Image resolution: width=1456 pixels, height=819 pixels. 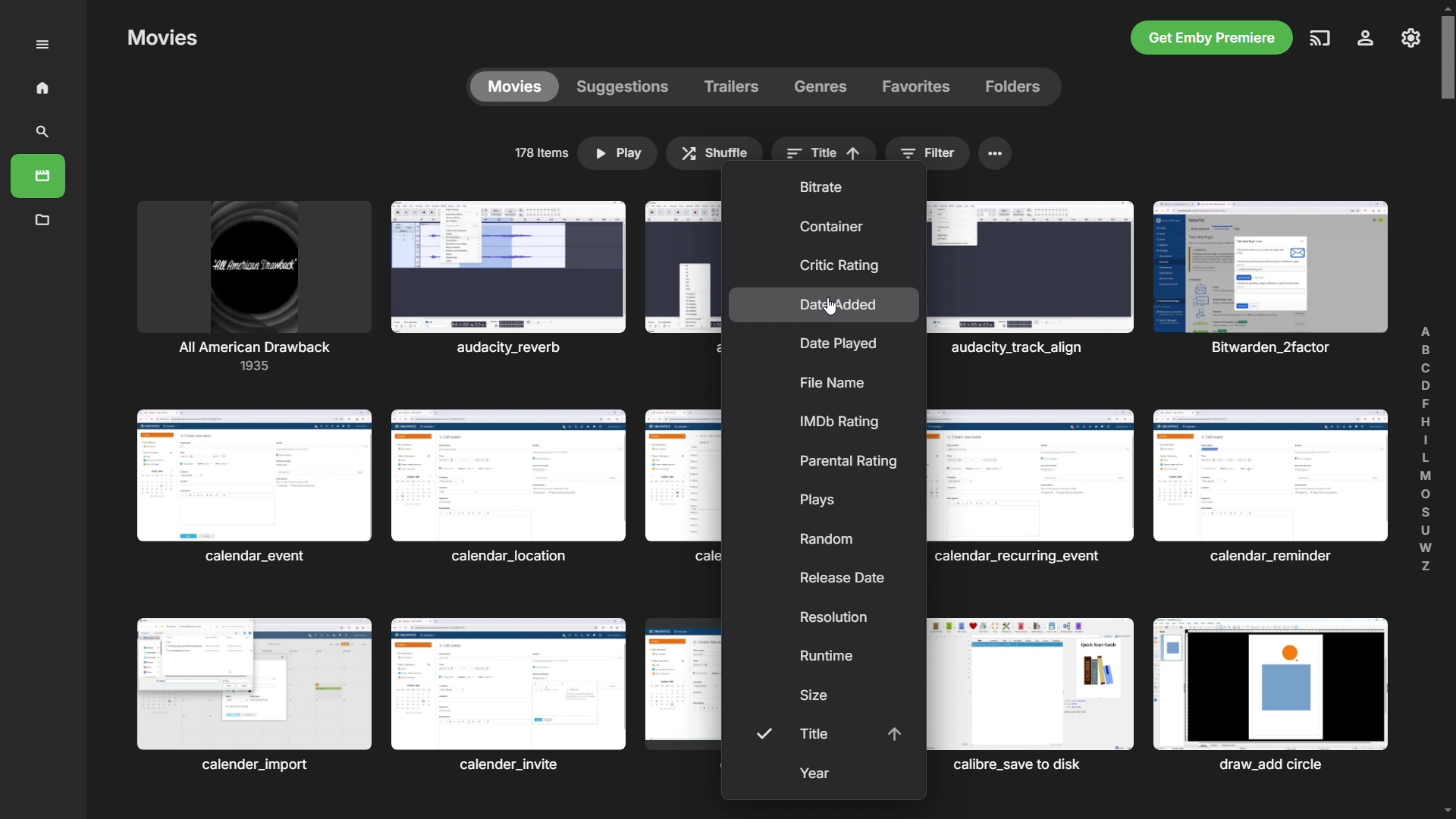 What do you see at coordinates (824, 576) in the screenshot?
I see `release date` at bounding box center [824, 576].